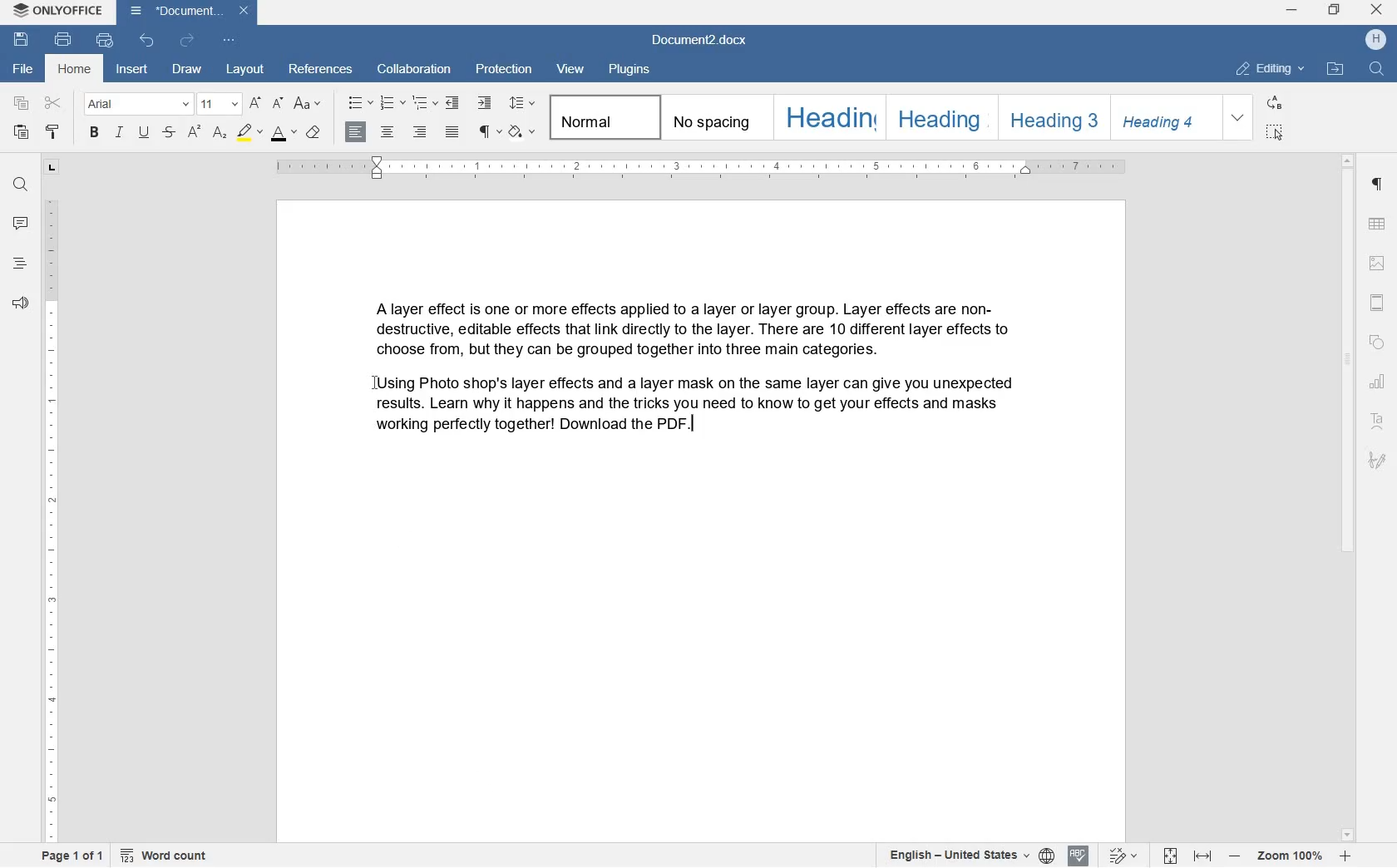  I want to click on PROTECTION, so click(504, 70).